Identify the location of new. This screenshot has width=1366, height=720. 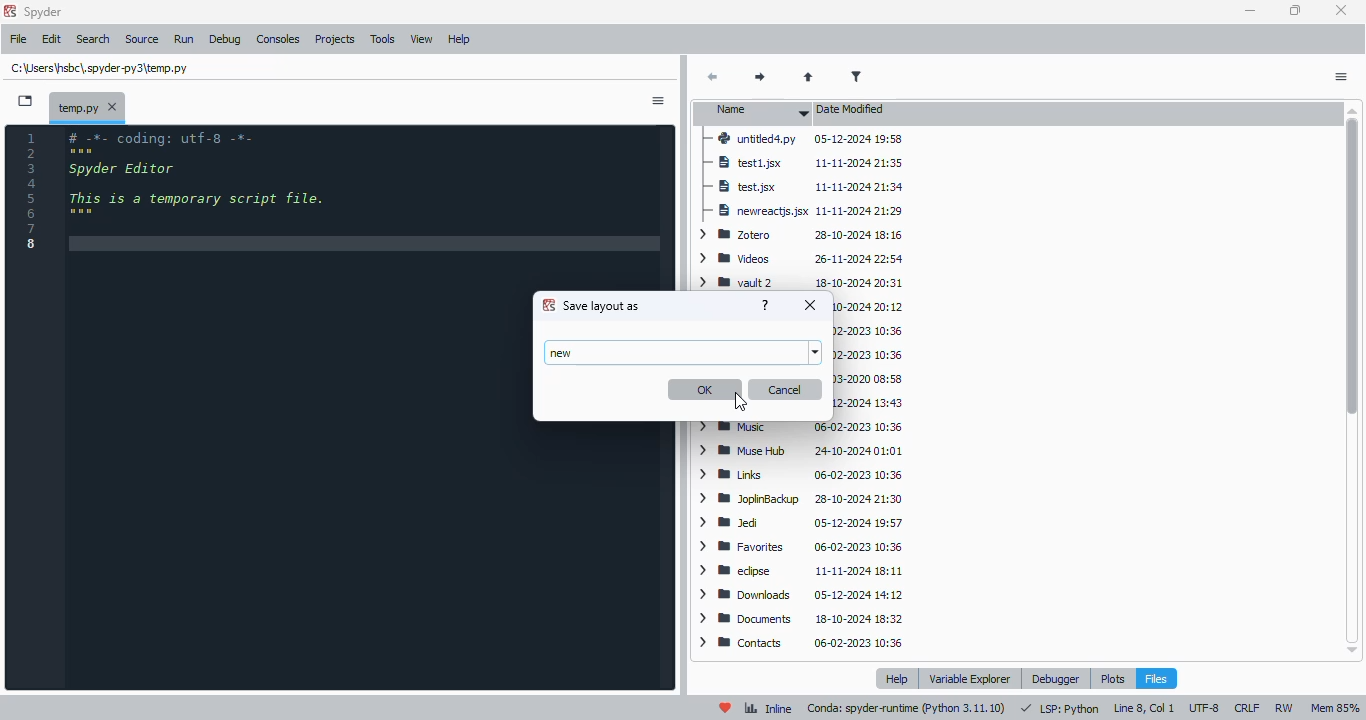
(563, 353).